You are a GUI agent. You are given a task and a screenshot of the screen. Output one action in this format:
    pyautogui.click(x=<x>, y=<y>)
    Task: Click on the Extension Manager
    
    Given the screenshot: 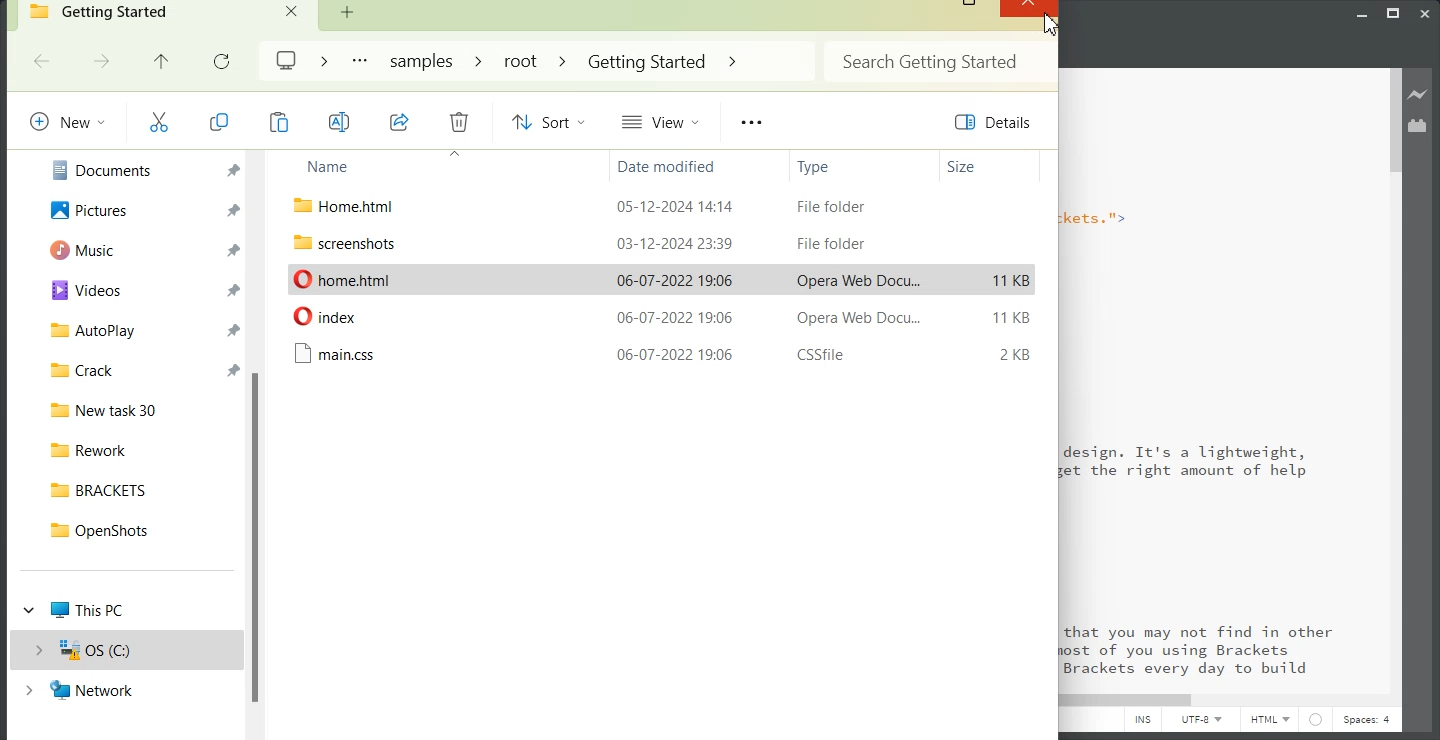 What is the action you would take?
    pyautogui.click(x=1418, y=125)
    